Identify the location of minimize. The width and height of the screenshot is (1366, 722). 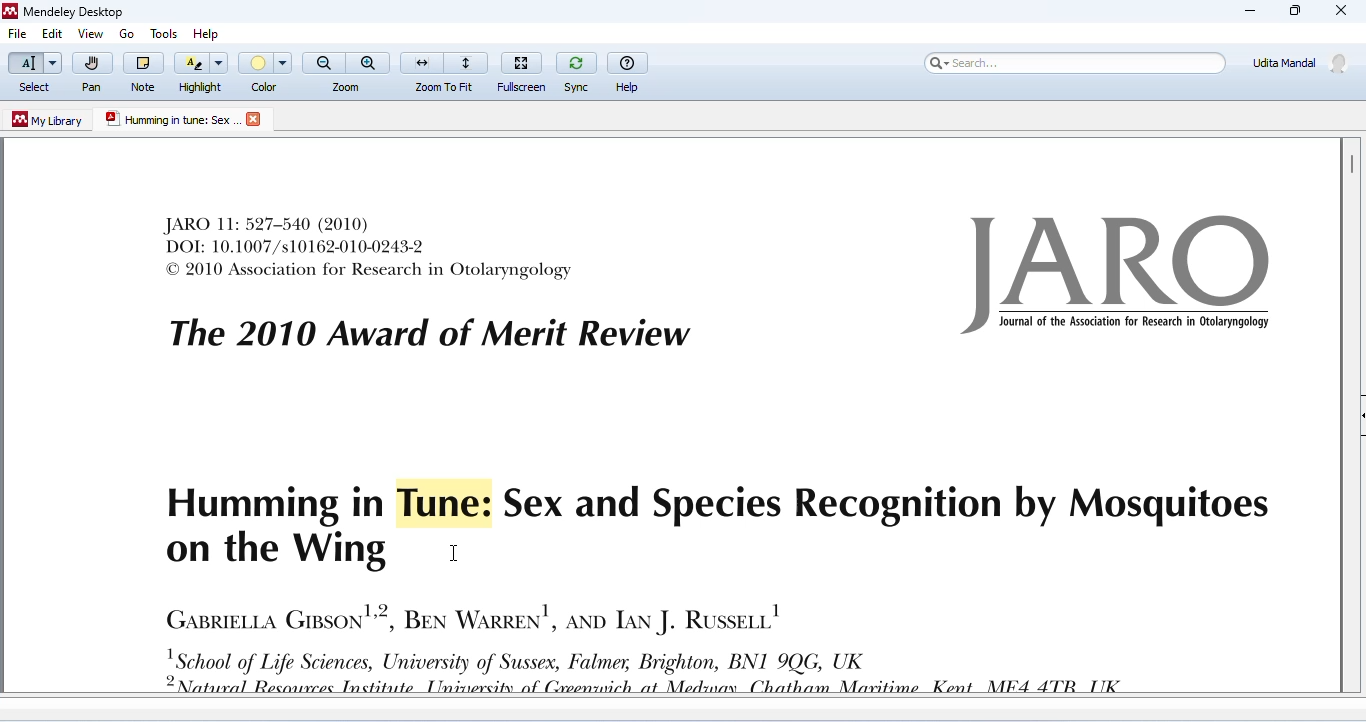
(1250, 11).